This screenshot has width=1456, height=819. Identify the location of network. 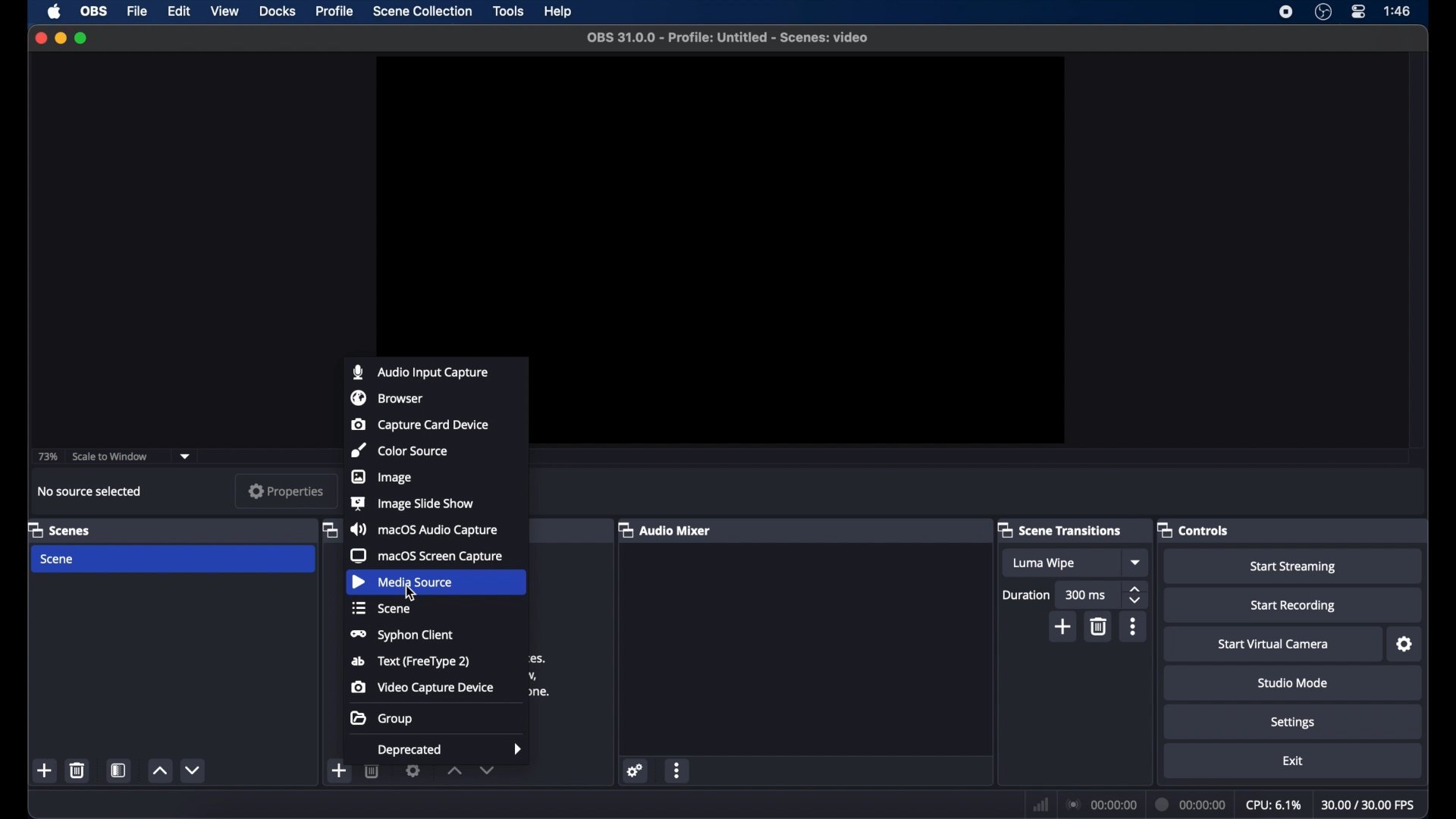
(1041, 806).